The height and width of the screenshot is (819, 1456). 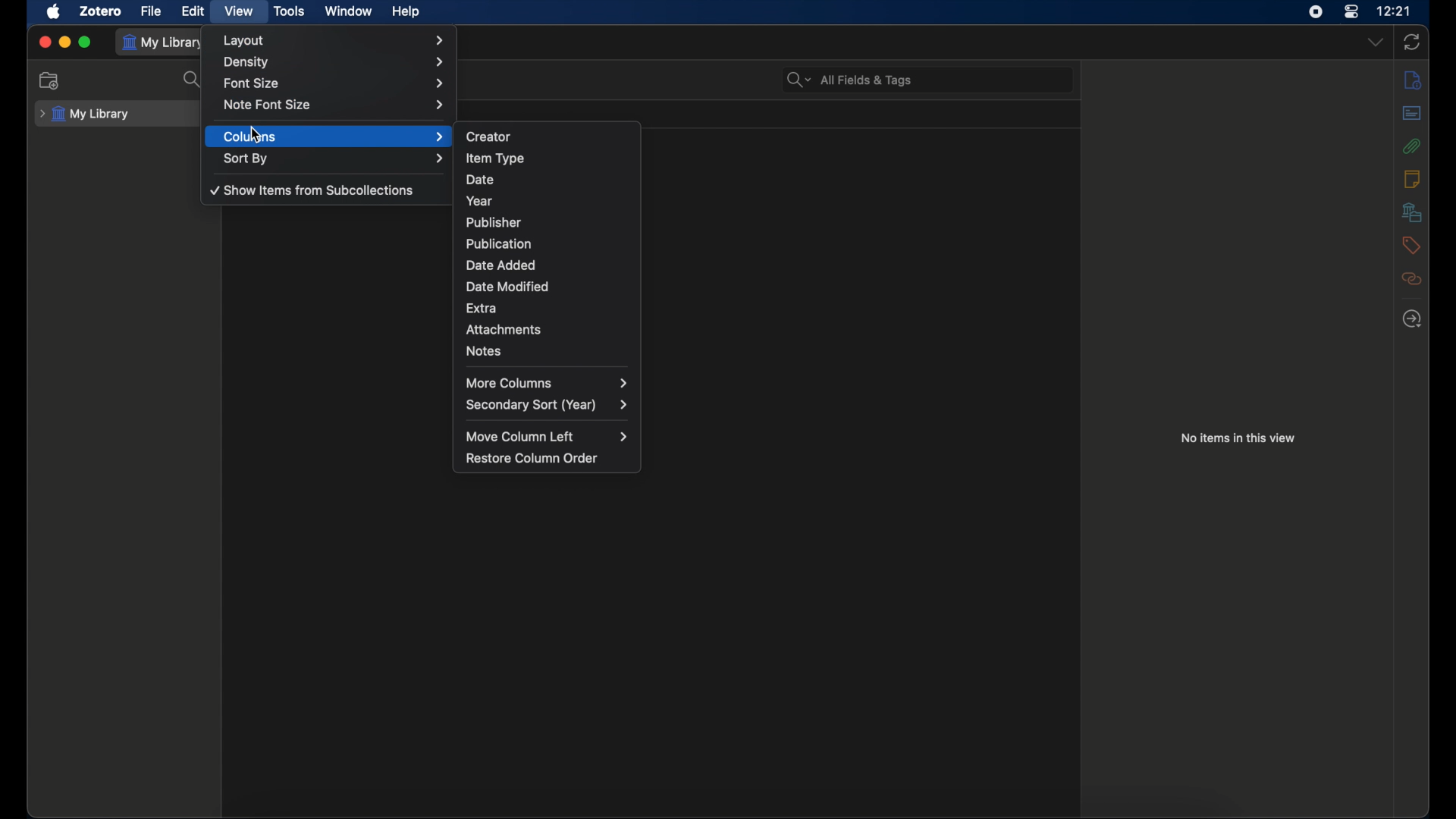 What do you see at coordinates (1237, 438) in the screenshot?
I see `no items in this view` at bounding box center [1237, 438].